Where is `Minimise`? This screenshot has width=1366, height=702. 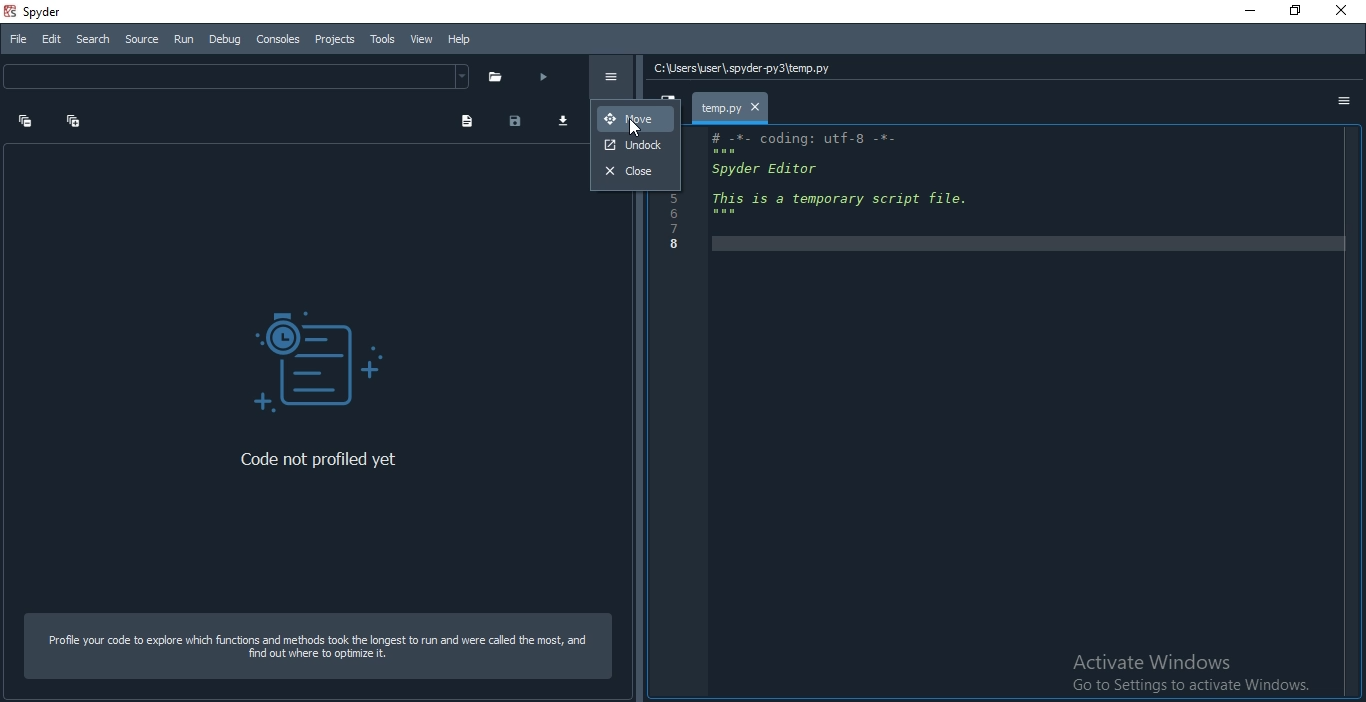
Minimise is located at coordinates (1240, 11).